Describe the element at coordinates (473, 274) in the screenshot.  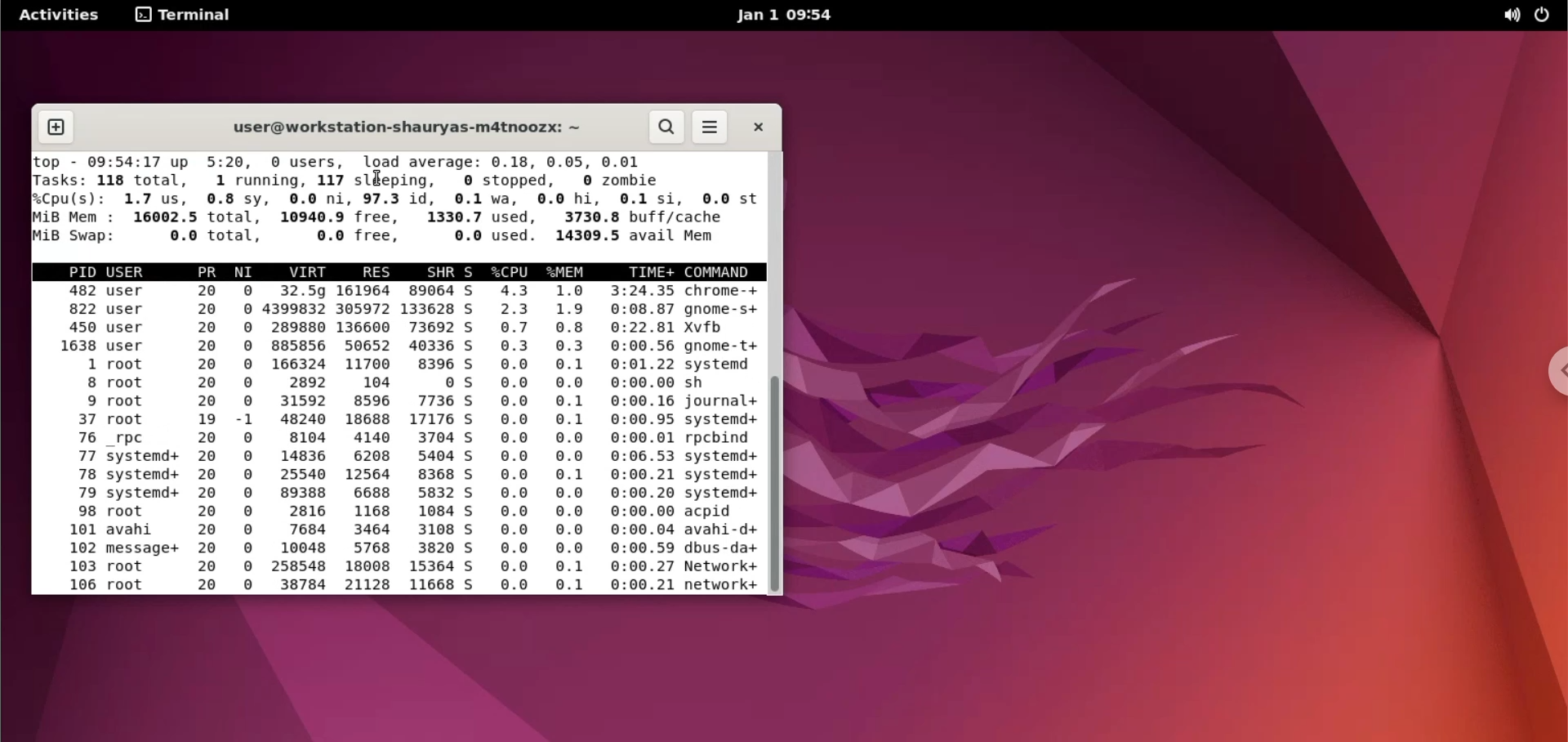
I see `S ` at that location.